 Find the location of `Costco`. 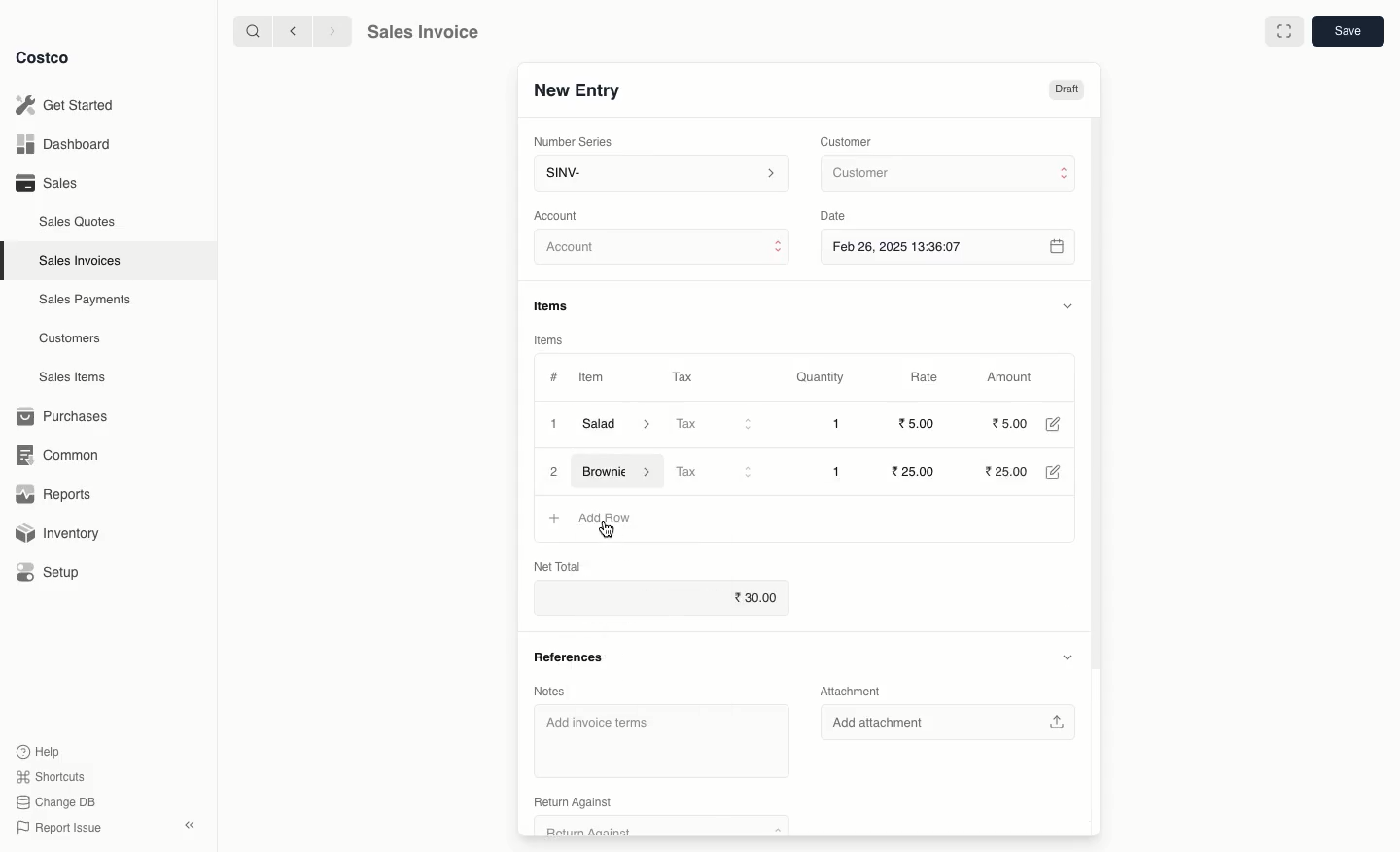

Costco is located at coordinates (48, 58).